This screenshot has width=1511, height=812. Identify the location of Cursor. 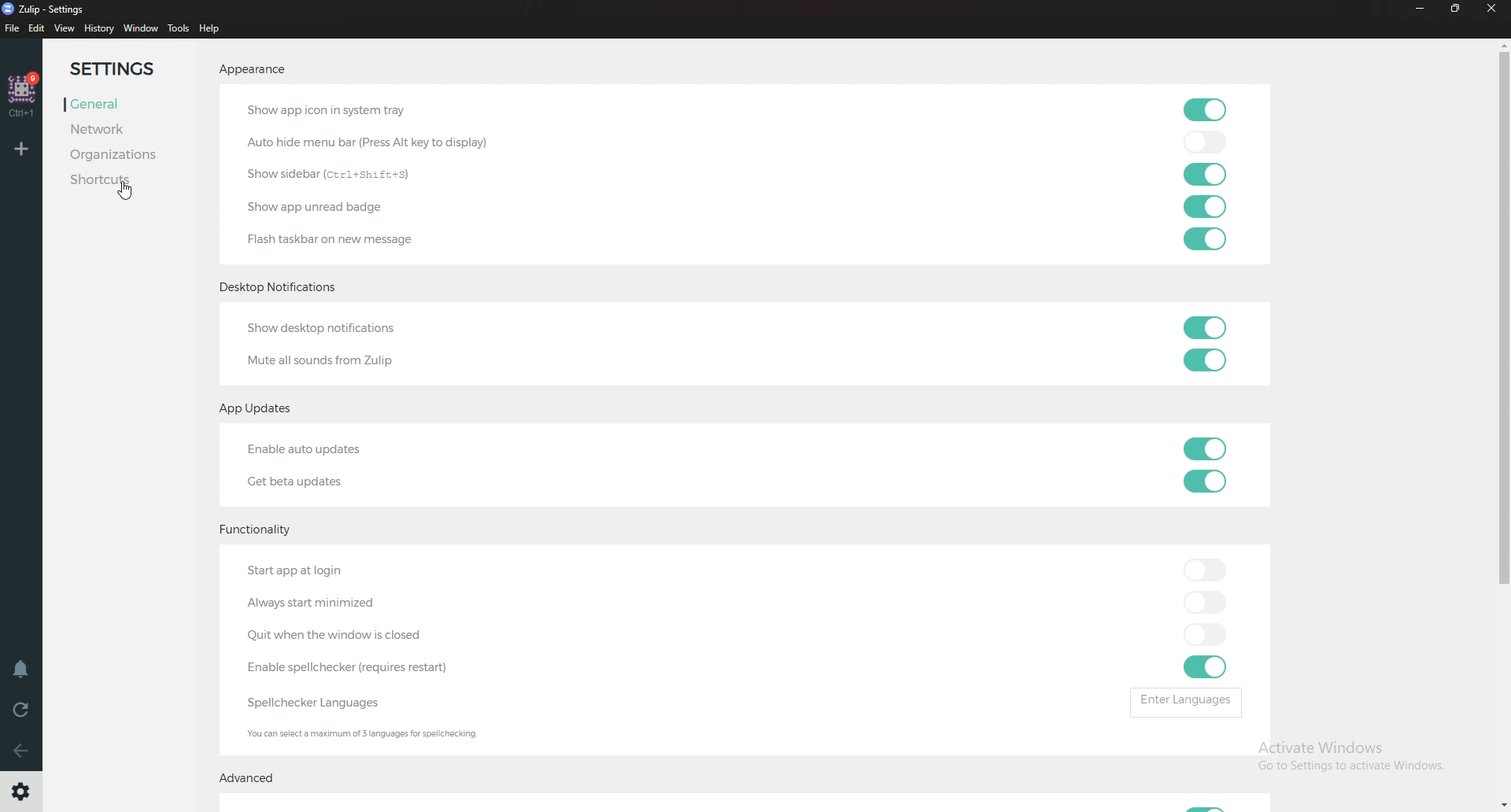
(124, 193).